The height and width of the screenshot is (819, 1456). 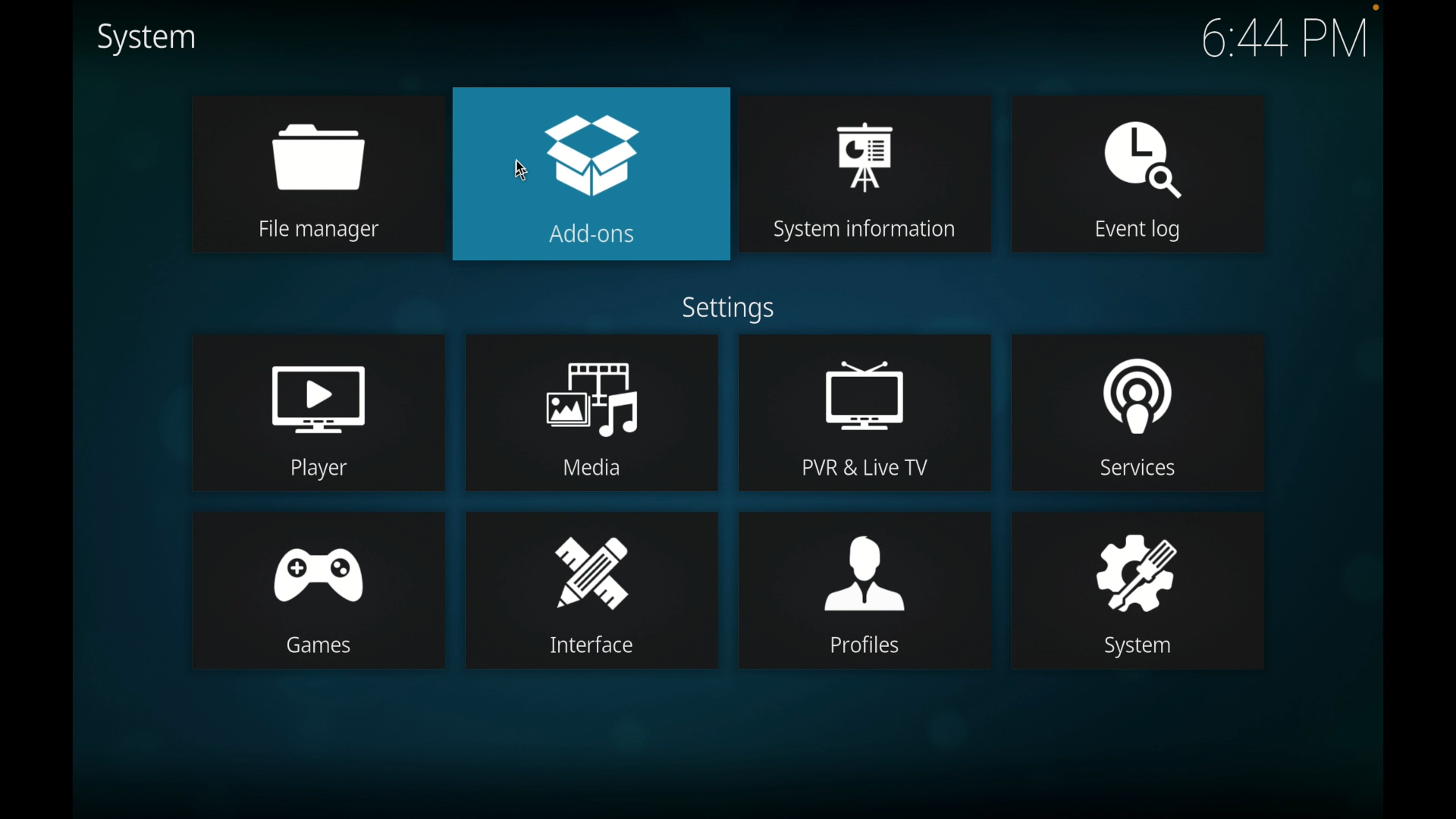 What do you see at coordinates (865, 413) in the screenshot?
I see `pvr and live tv` at bounding box center [865, 413].